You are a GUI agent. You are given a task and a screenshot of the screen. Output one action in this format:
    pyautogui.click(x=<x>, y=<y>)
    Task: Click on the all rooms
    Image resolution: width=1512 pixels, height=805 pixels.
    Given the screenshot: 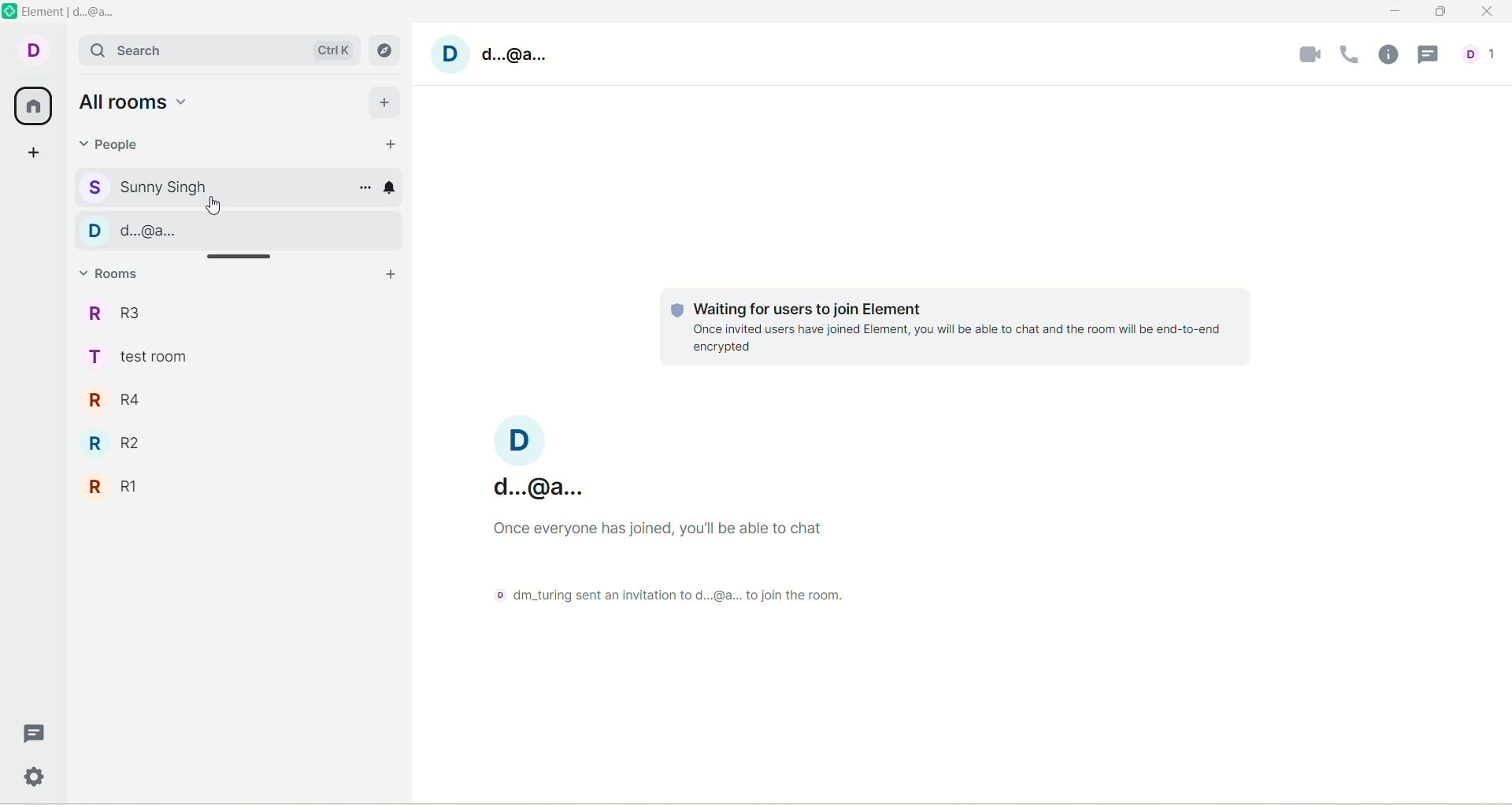 What is the action you would take?
    pyautogui.click(x=32, y=106)
    